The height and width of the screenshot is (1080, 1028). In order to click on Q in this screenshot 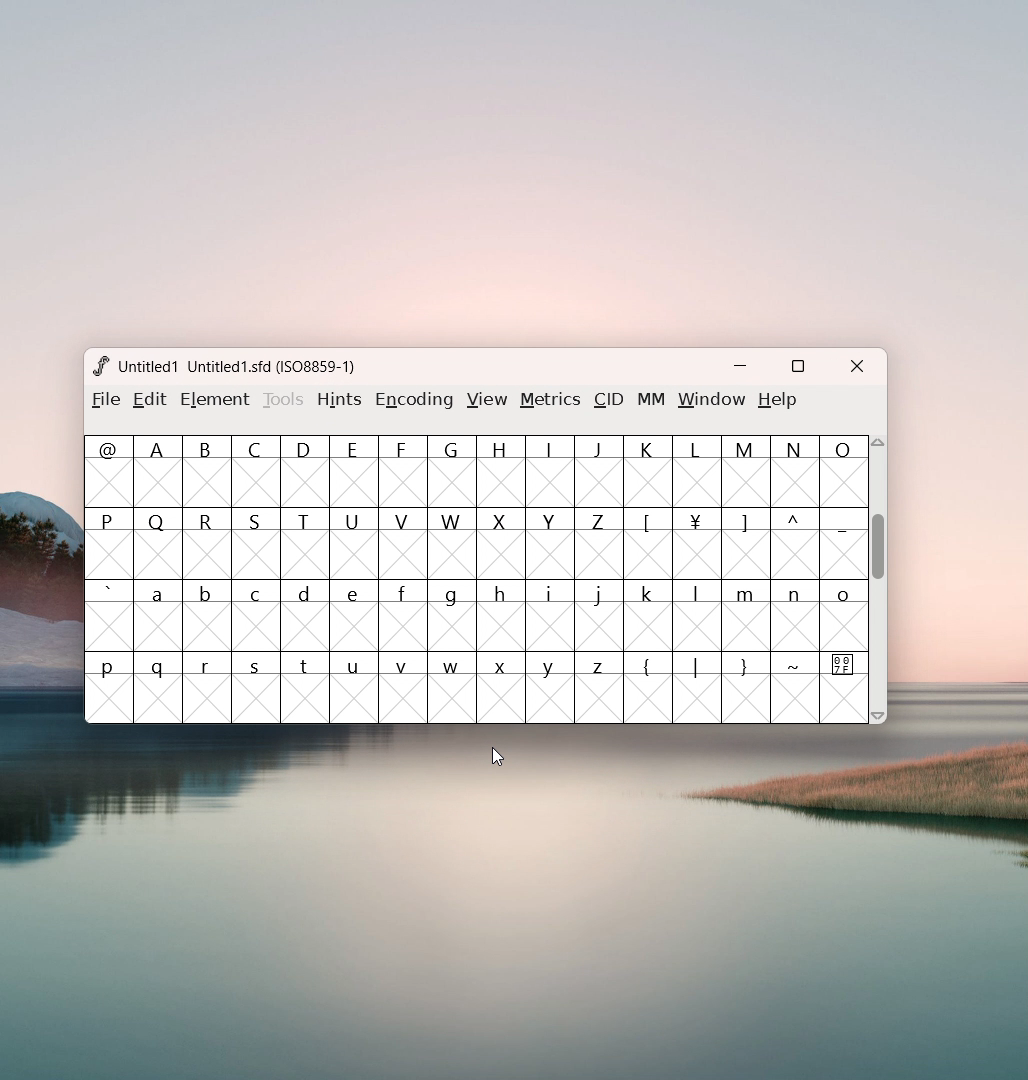, I will do `click(159, 544)`.